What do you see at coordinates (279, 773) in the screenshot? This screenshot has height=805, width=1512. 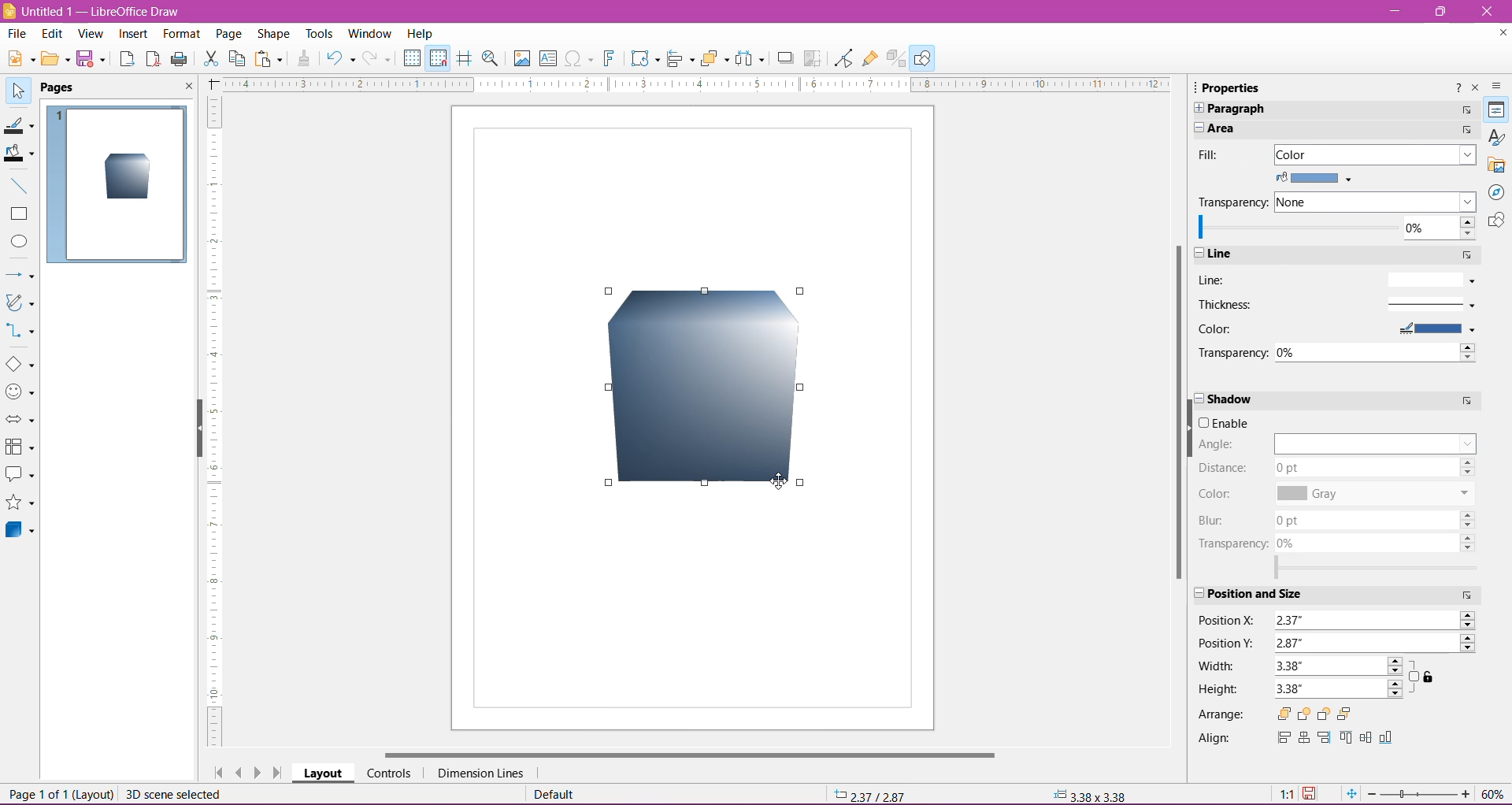 I see `Scroll to last page` at bounding box center [279, 773].